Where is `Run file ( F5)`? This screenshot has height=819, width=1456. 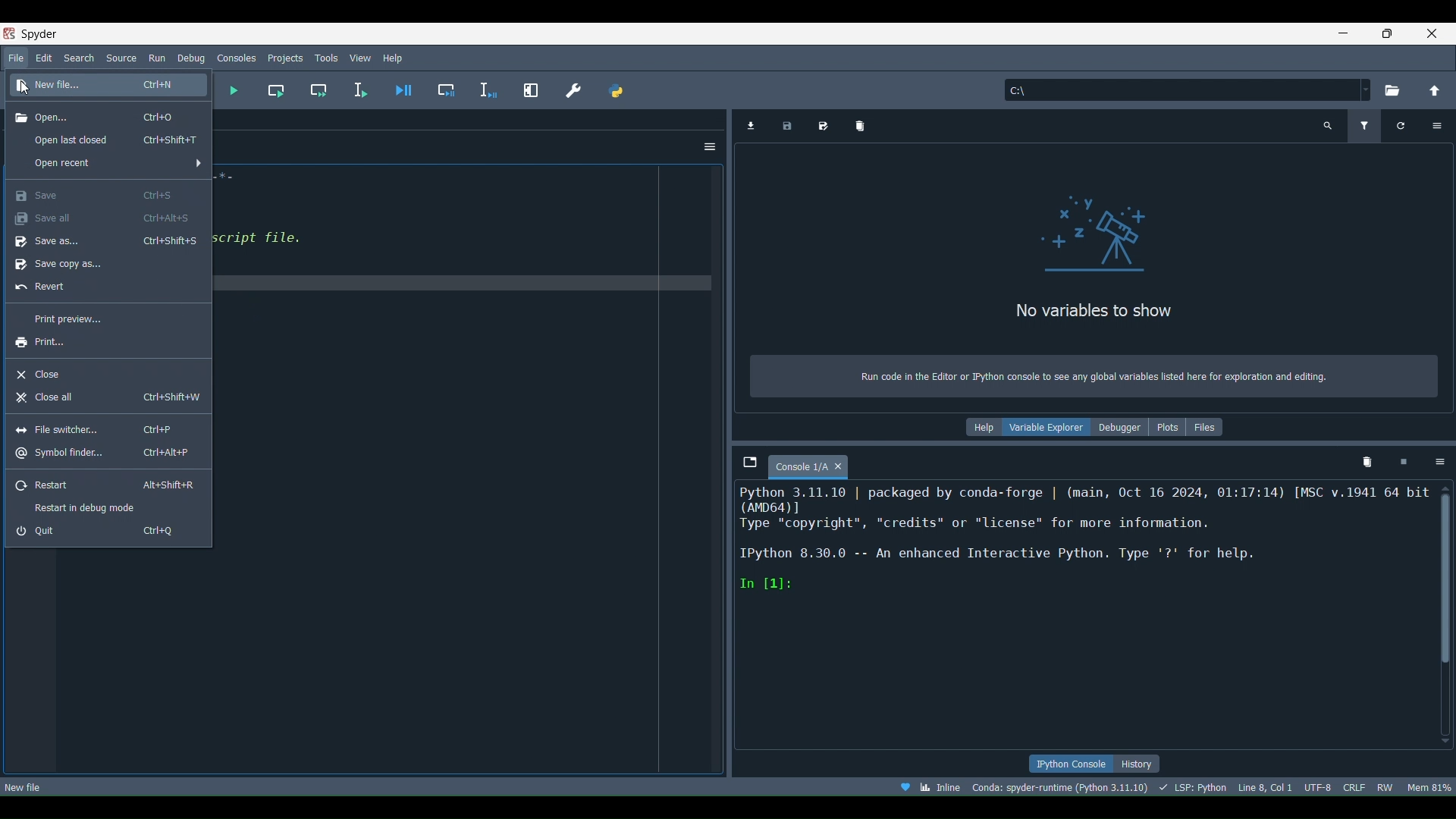 Run file ( F5) is located at coordinates (231, 91).